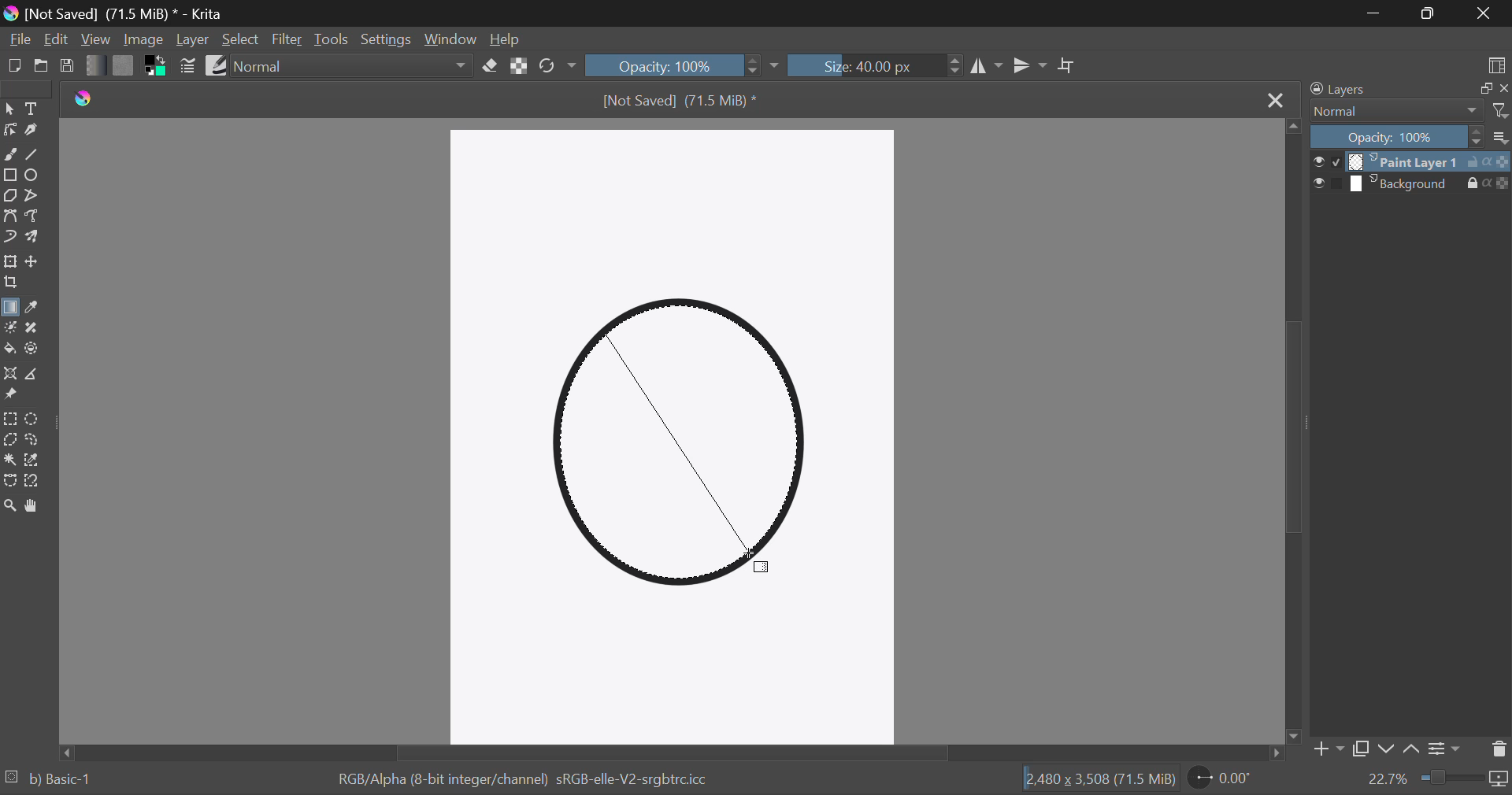  I want to click on copy, so click(1485, 87).